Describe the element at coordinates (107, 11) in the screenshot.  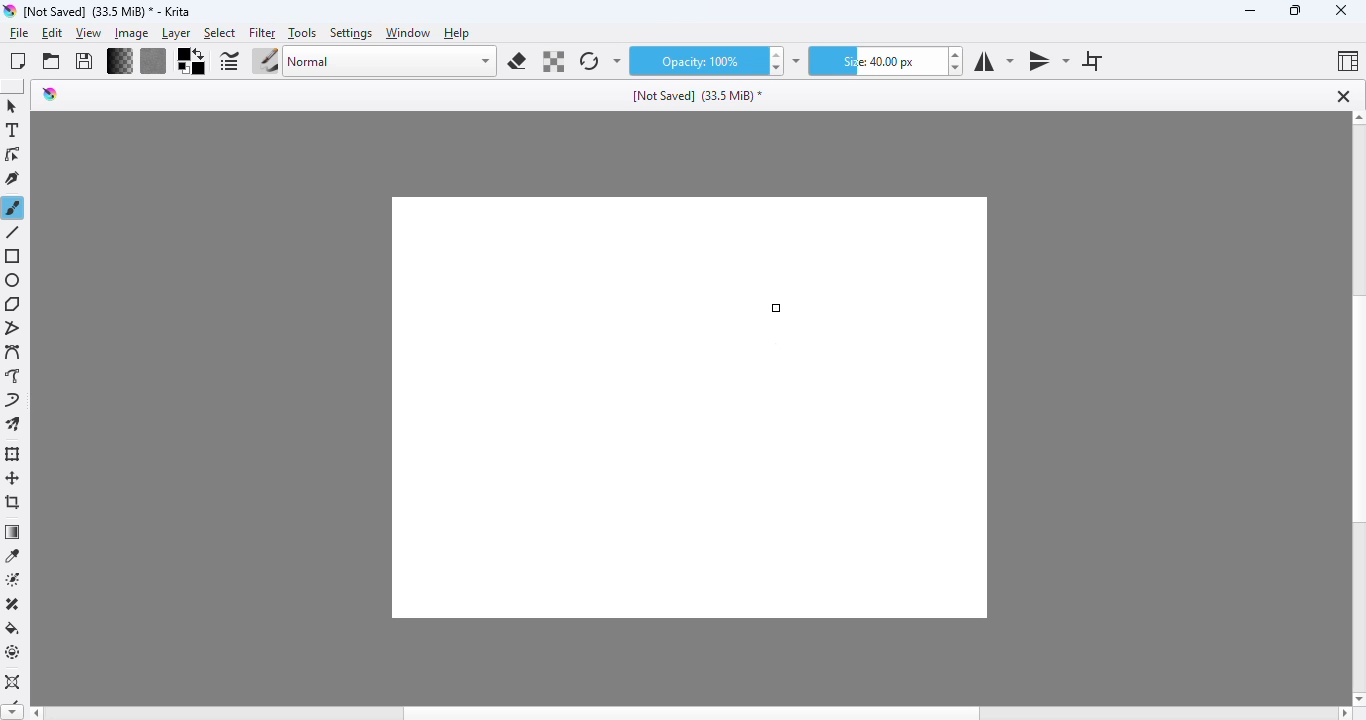
I see `[Not Saved] (33.5 MiB)* - Krita` at that location.